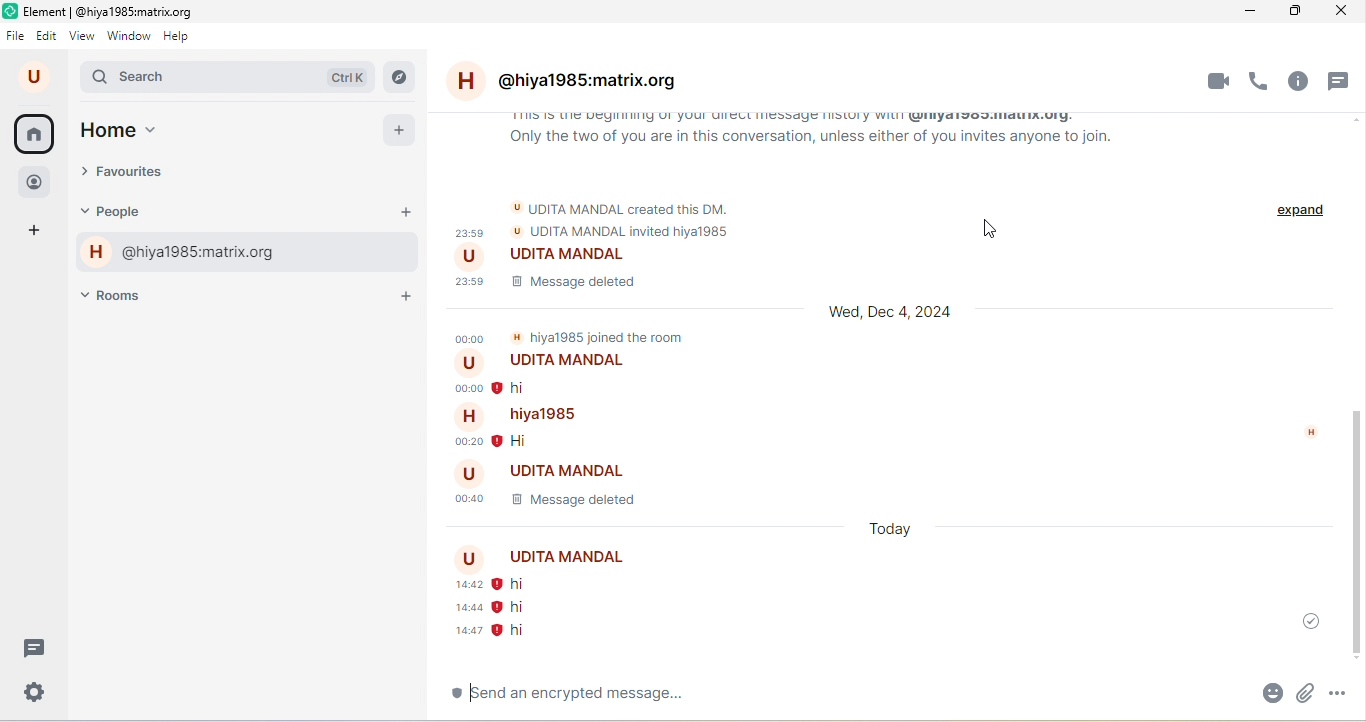  Describe the element at coordinates (182, 36) in the screenshot. I see `help` at that location.